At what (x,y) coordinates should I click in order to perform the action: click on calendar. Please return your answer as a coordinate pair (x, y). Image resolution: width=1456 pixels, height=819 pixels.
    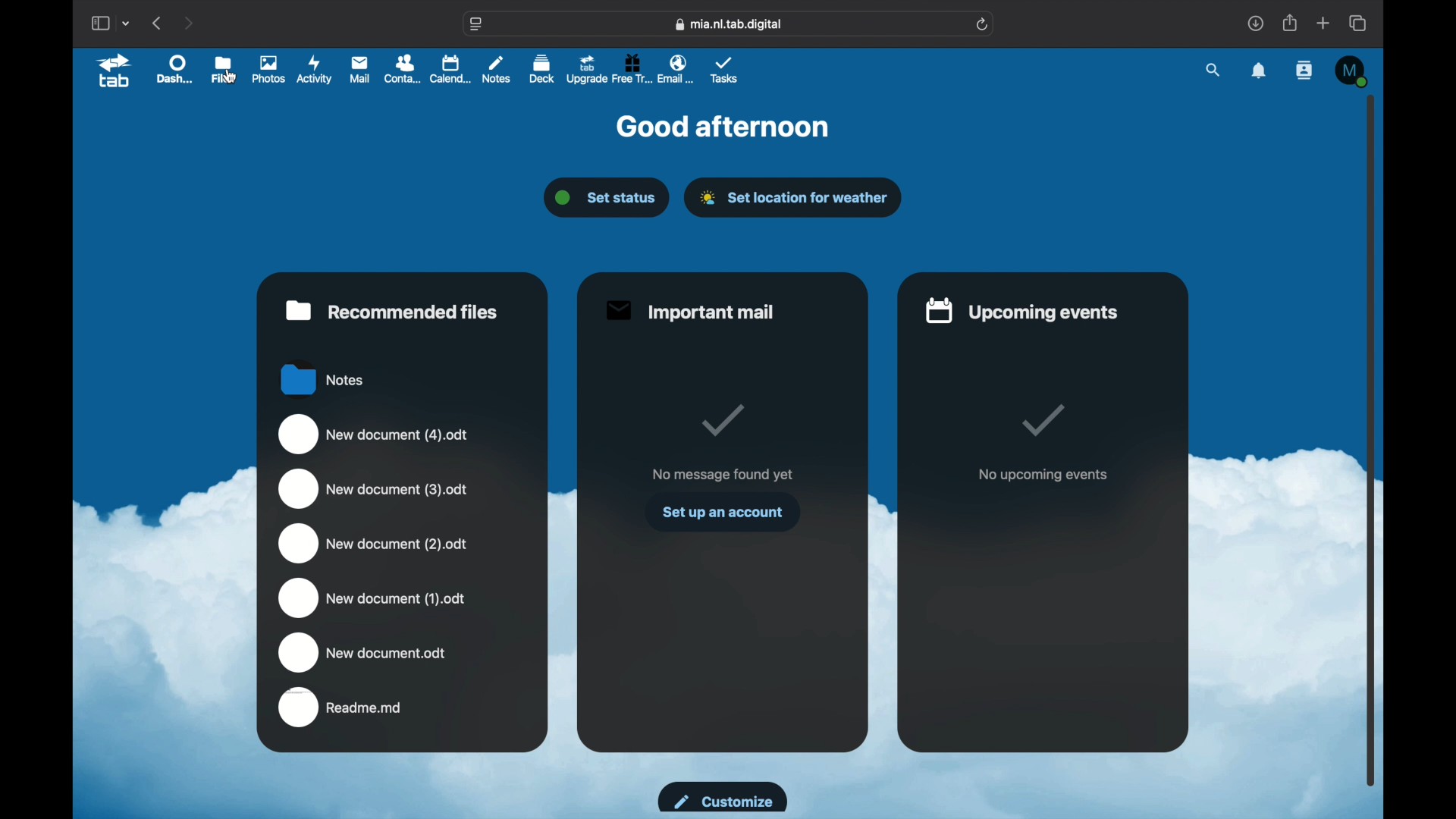
    Looking at the image, I should click on (450, 68).